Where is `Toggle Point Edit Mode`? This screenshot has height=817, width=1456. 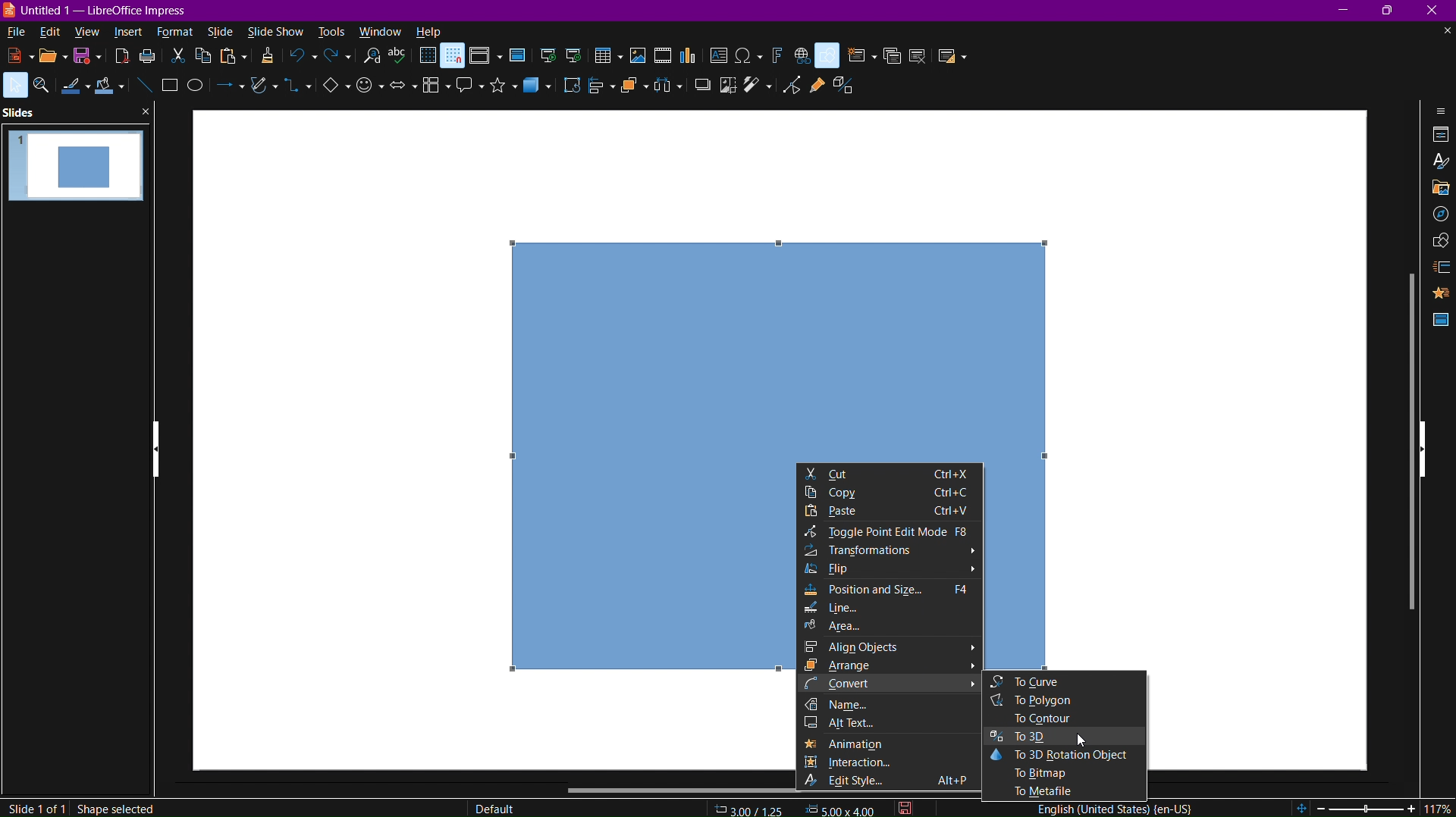 Toggle Point Edit Mode is located at coordinates (795, 85).